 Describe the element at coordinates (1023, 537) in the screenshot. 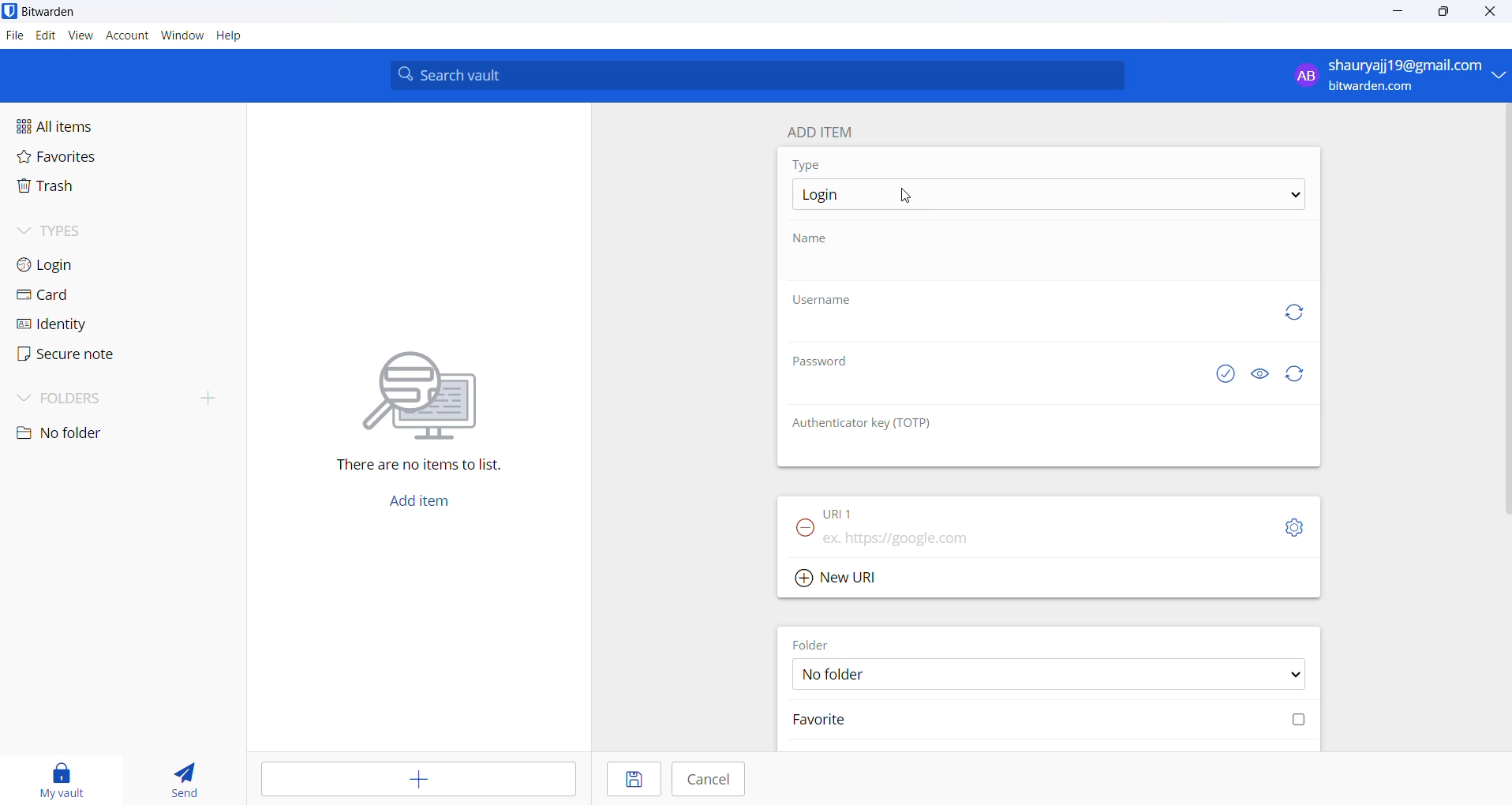

I see `url textbox` at that location.